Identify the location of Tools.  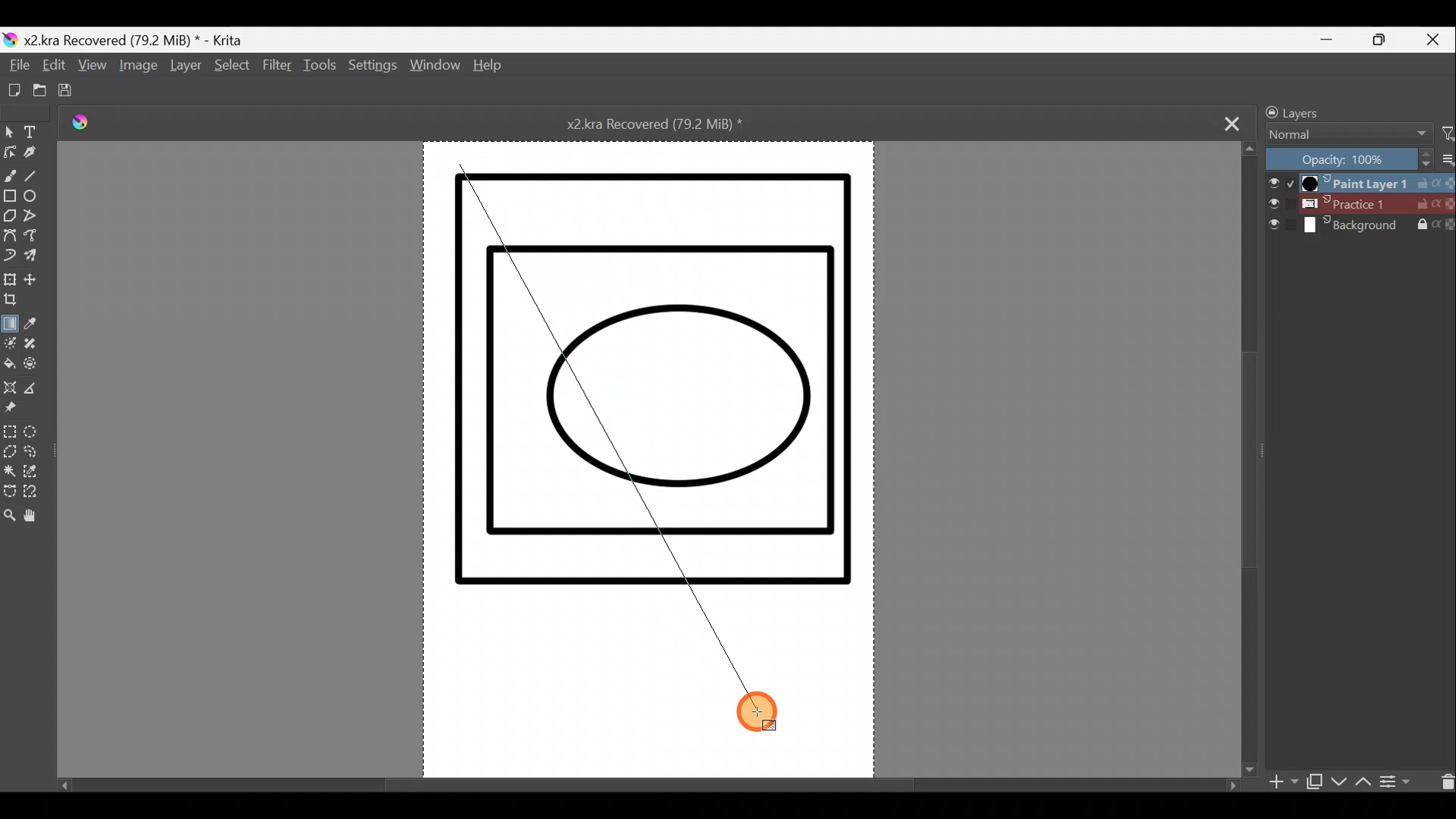
(322, 69).